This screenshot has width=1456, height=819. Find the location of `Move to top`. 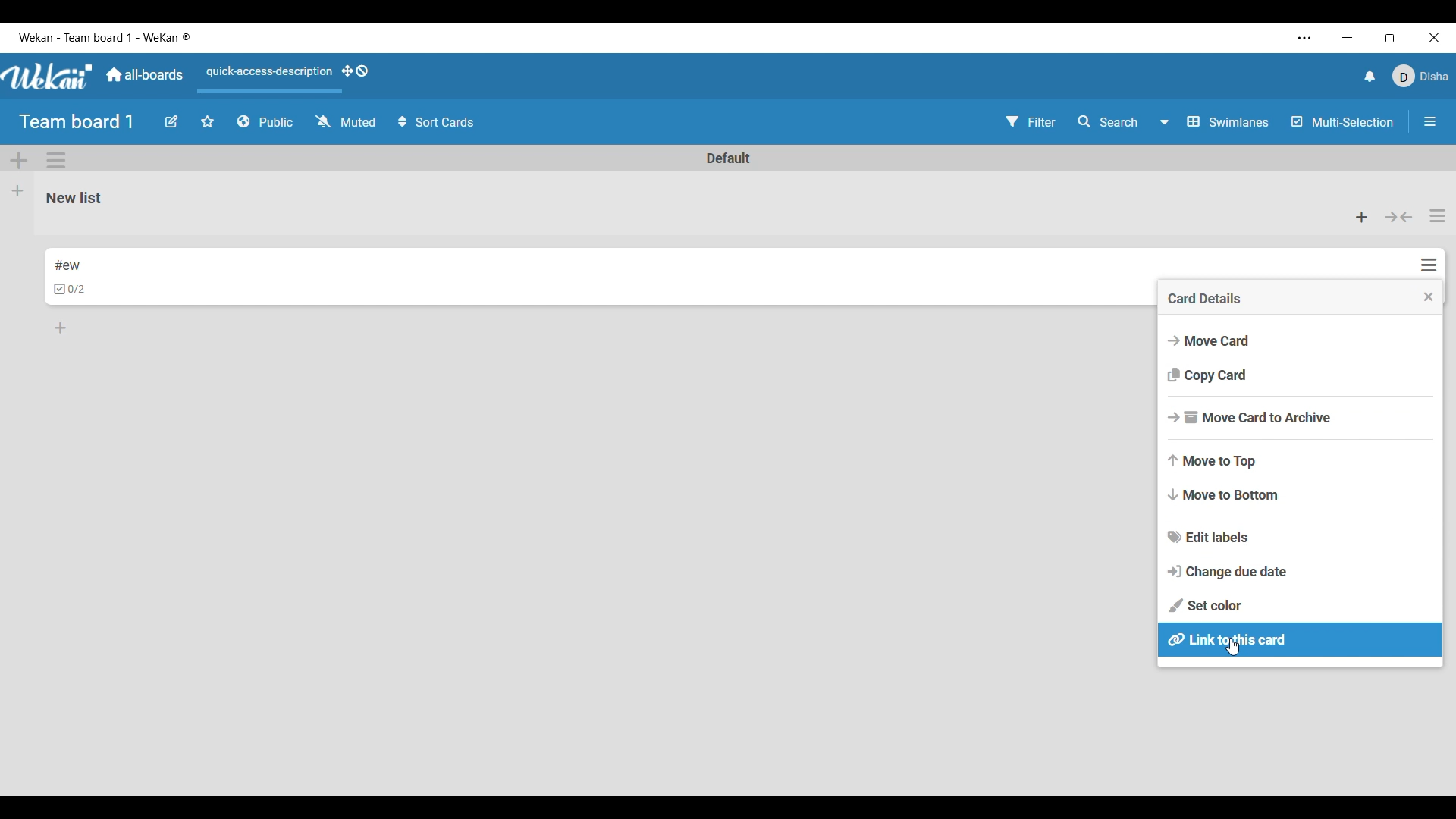

Move to top is located at coordinates (1301, 462).